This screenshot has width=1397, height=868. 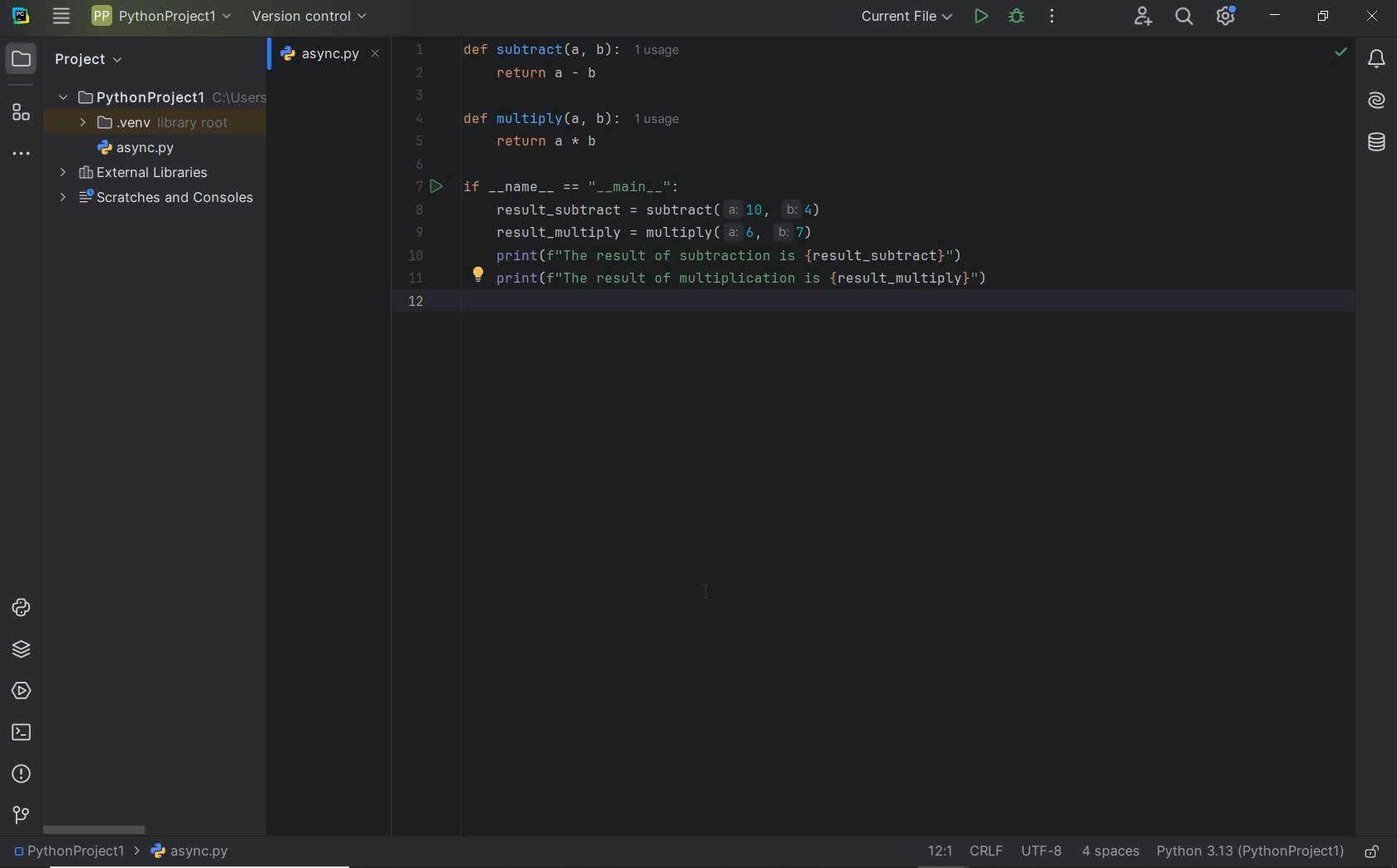 I want to click on Debug, so click(x=1017, y=17).